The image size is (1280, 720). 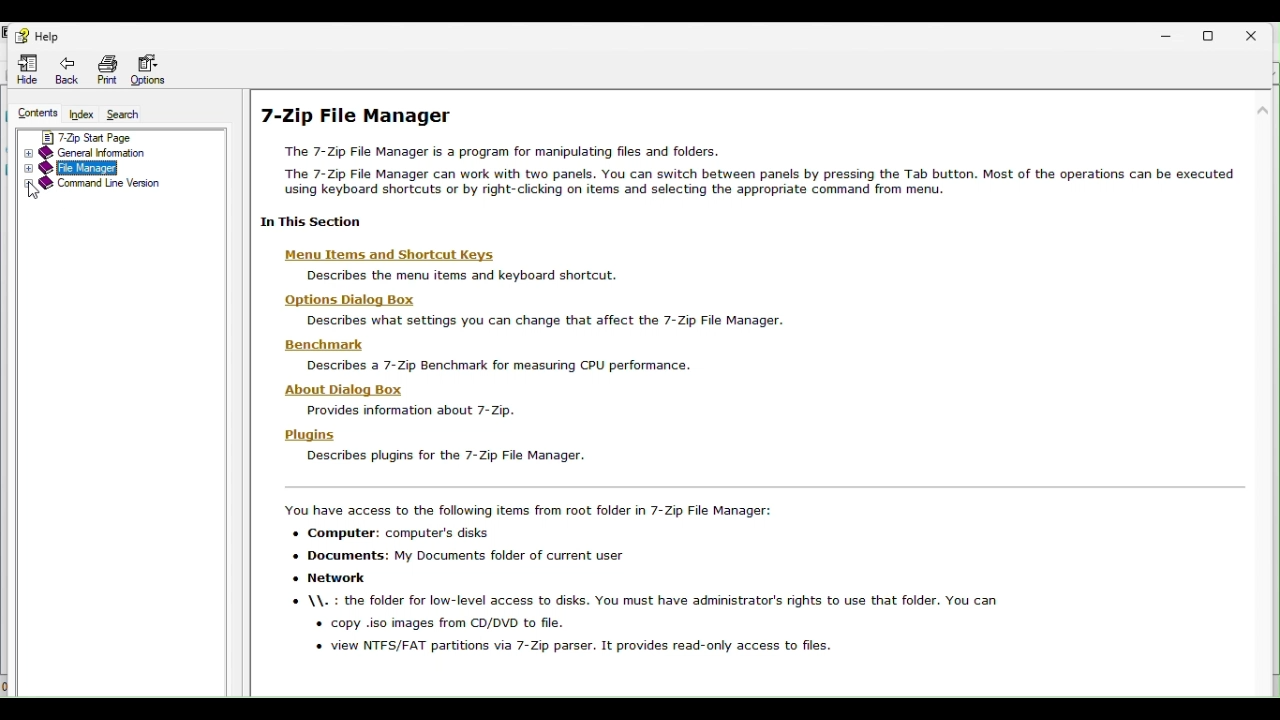 I want to click on accessible items in 7 zip fle manager, so click(x=679, y=581).